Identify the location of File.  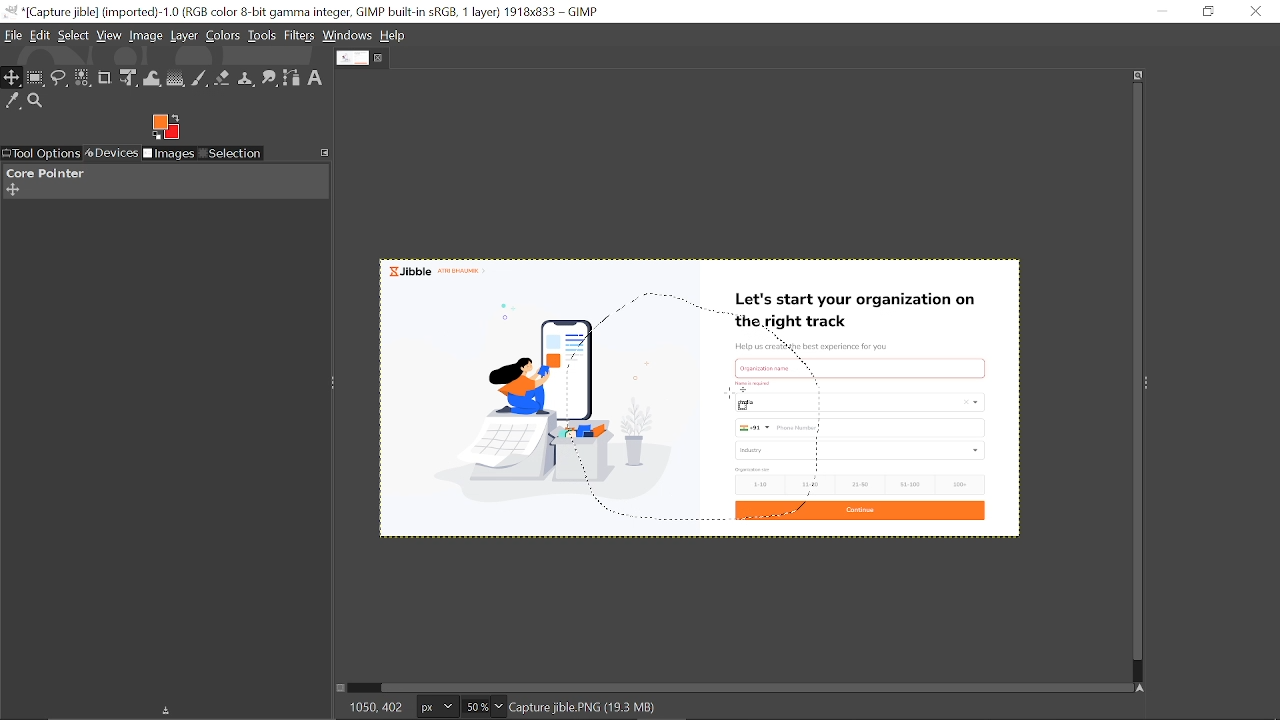
(13, 36).